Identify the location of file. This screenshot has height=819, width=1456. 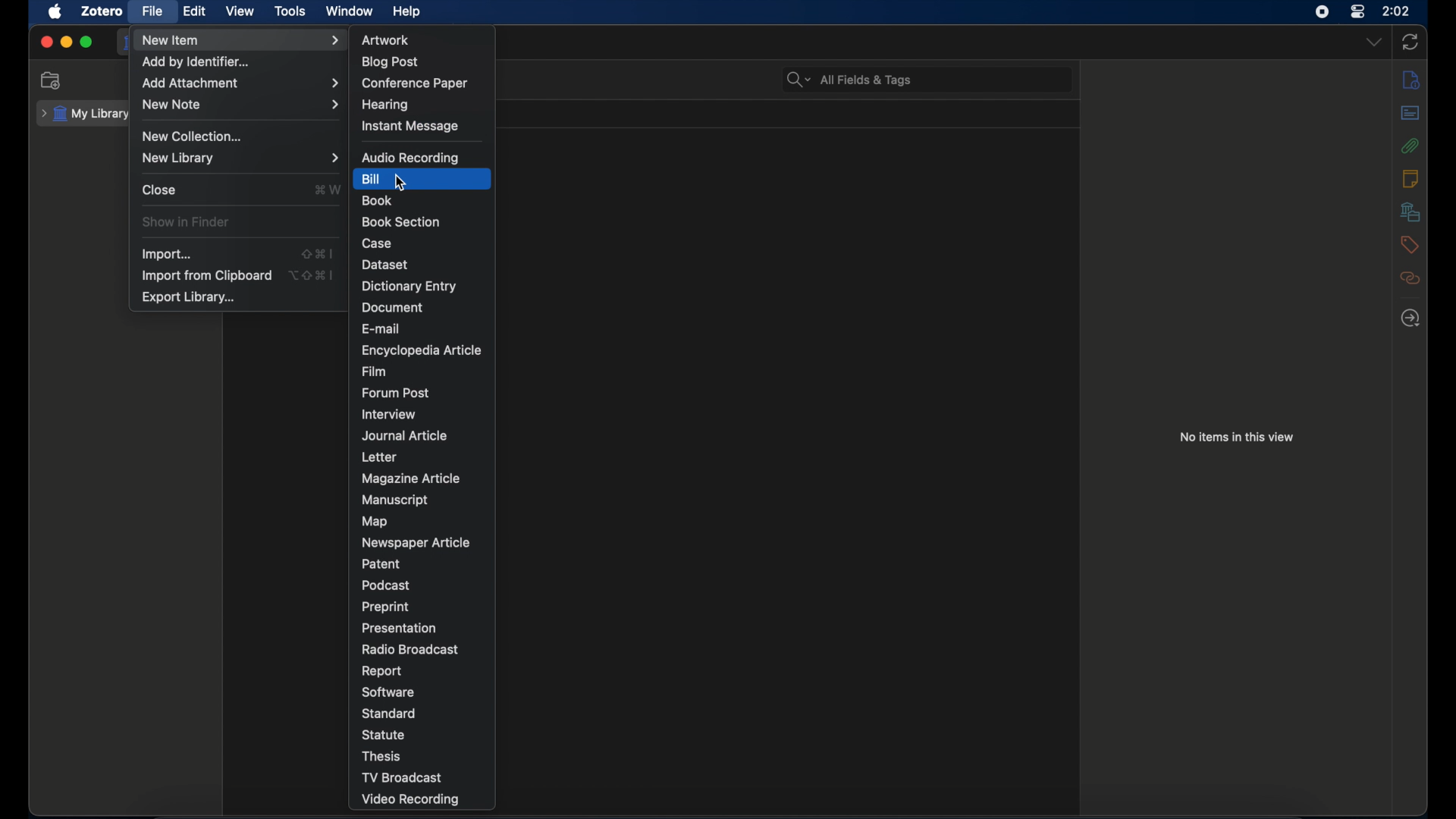
(153, 11).